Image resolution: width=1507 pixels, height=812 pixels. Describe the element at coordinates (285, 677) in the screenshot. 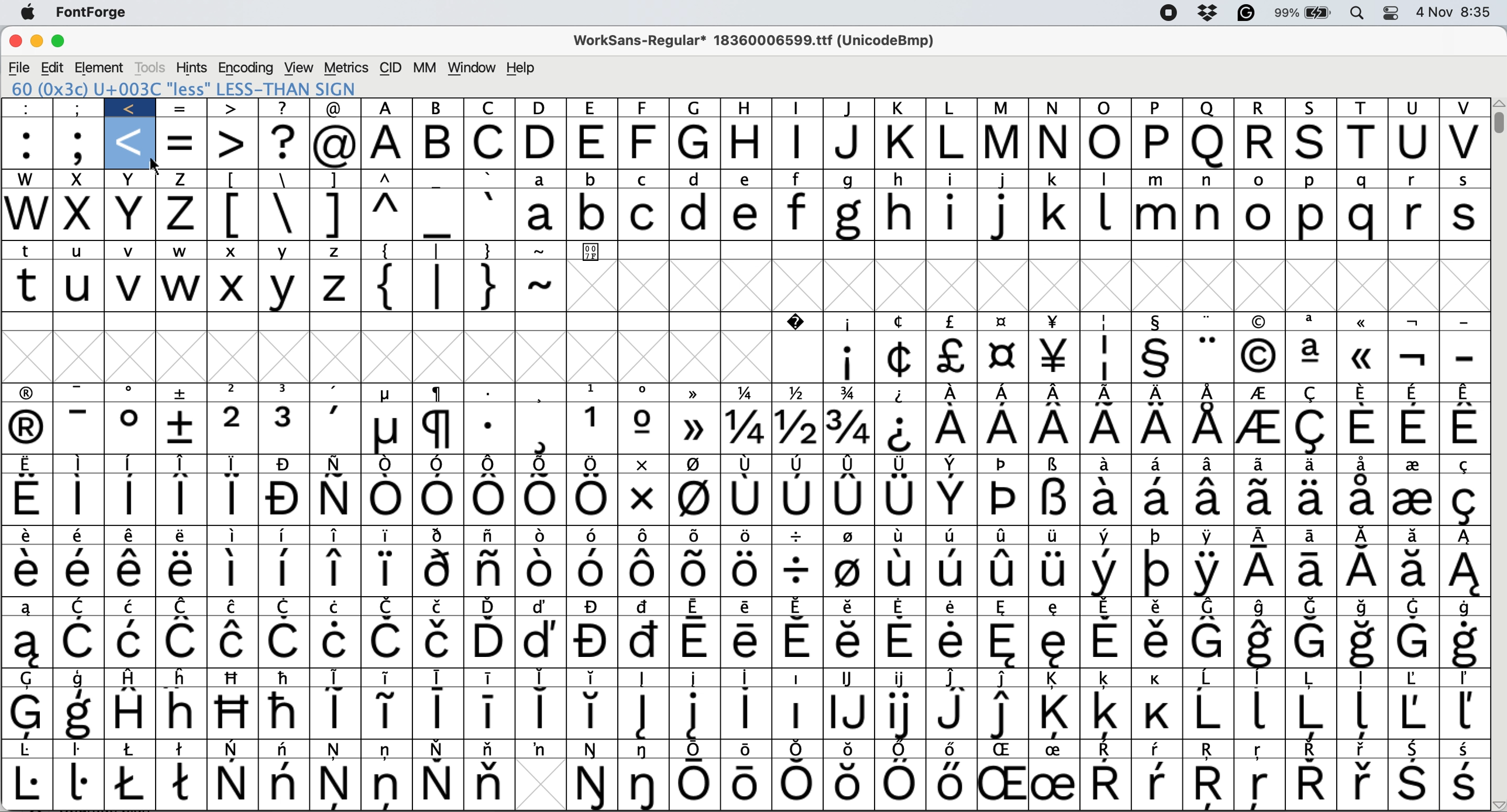

I see `Symbol` at that location.